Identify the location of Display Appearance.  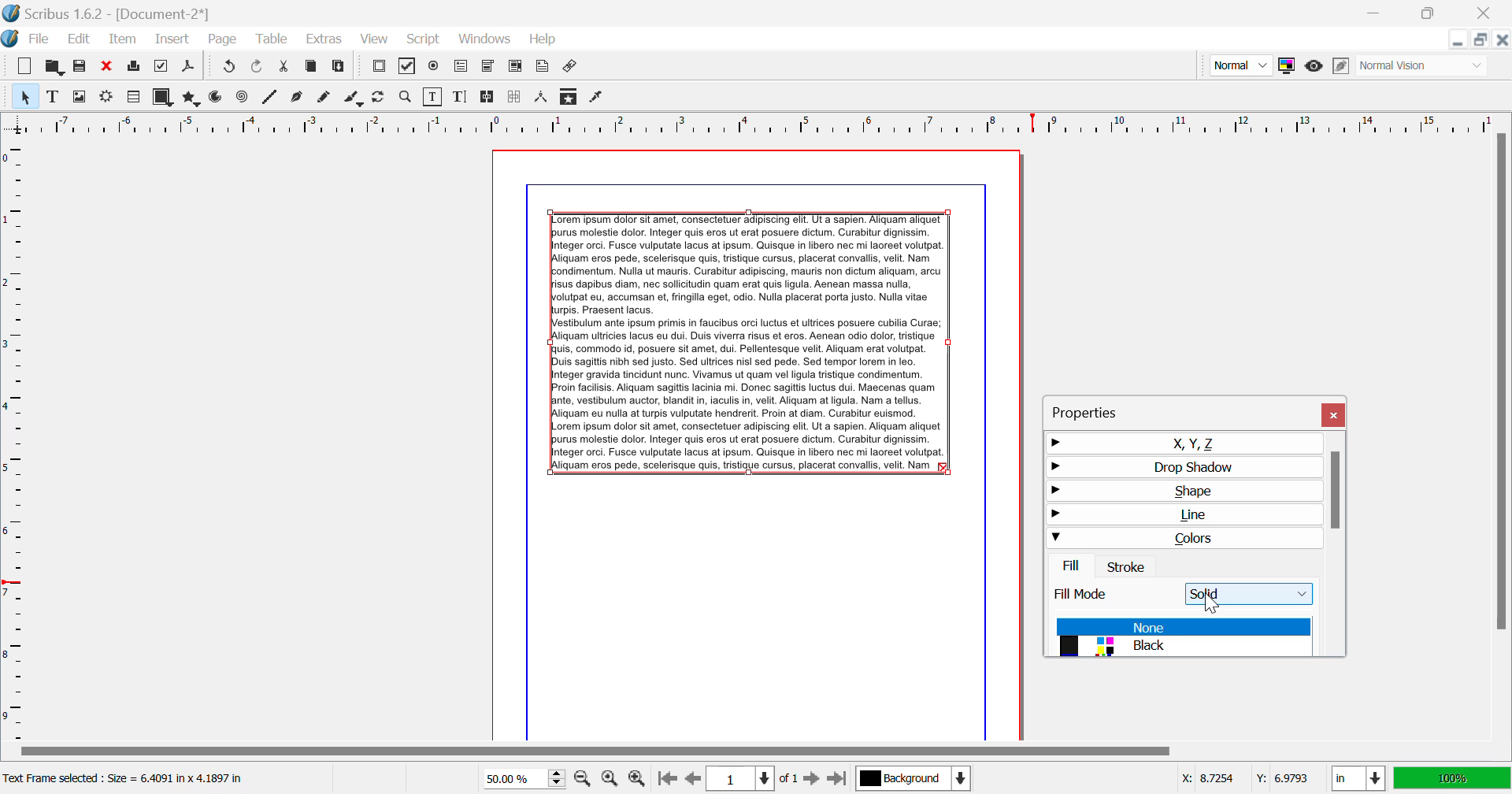
(1452, 778).